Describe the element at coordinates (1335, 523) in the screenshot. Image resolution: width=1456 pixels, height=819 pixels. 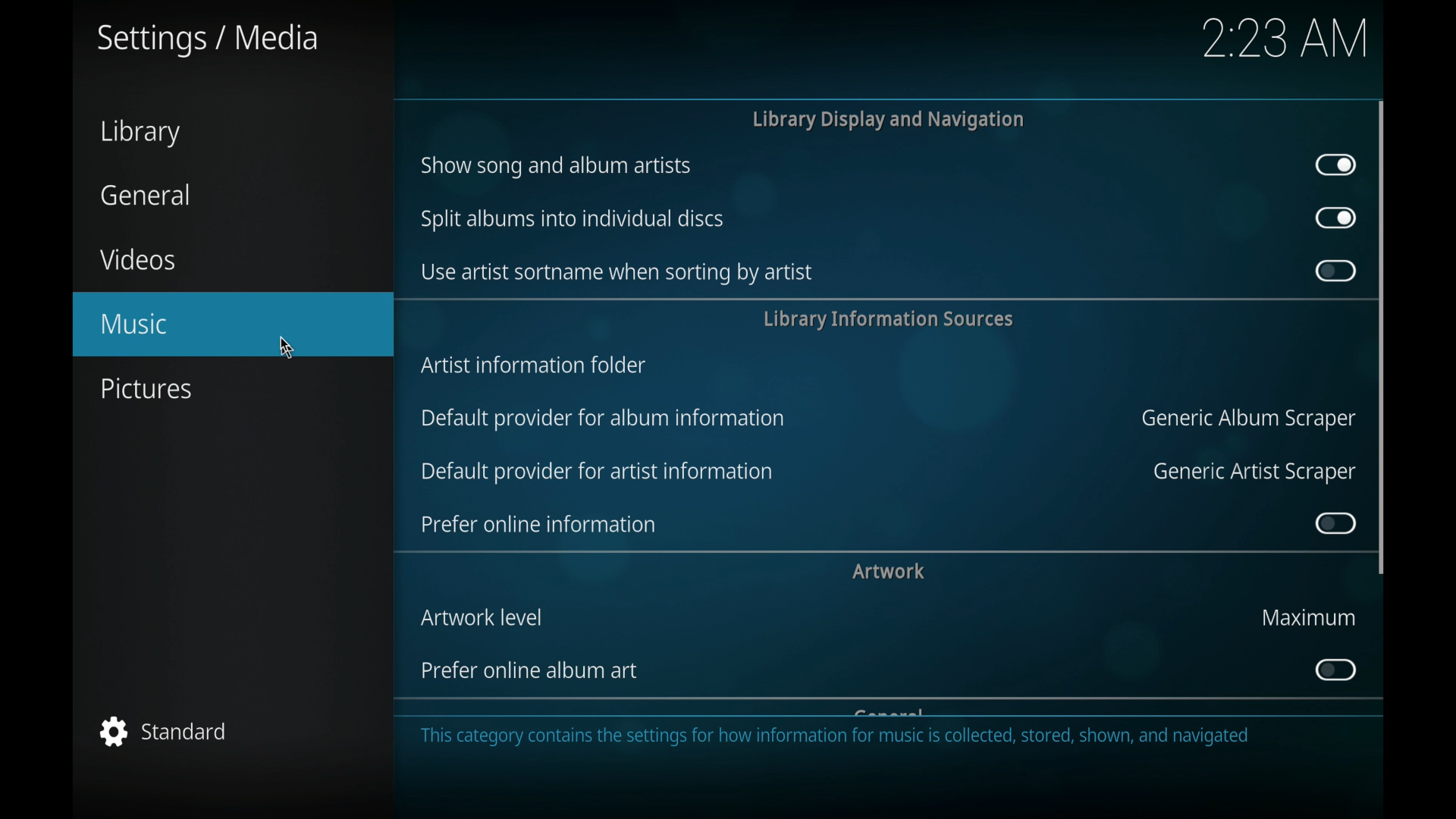
I see `toggle button` at that location.